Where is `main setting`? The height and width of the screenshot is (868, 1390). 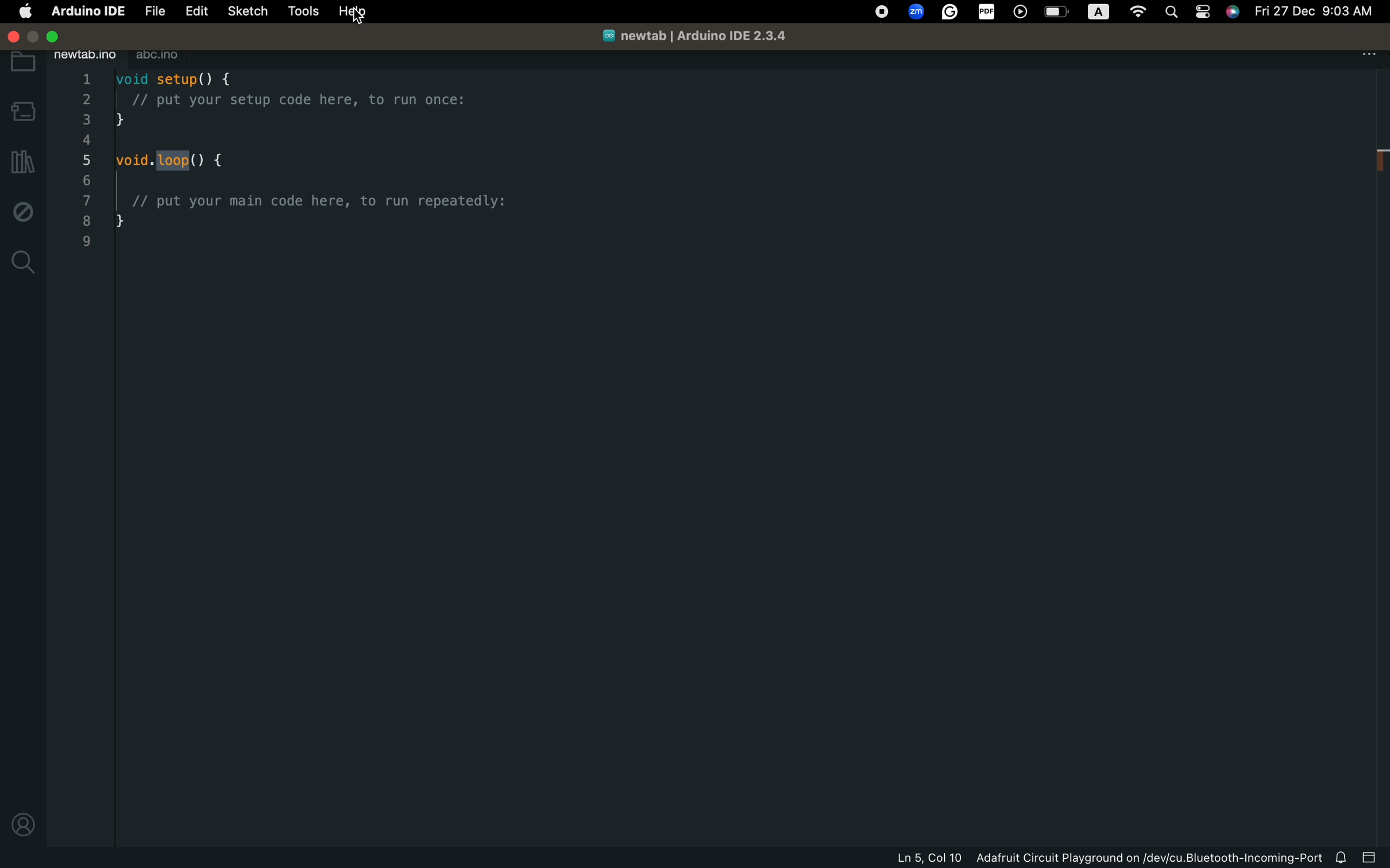
main setting is located at coordinates (24, 13).